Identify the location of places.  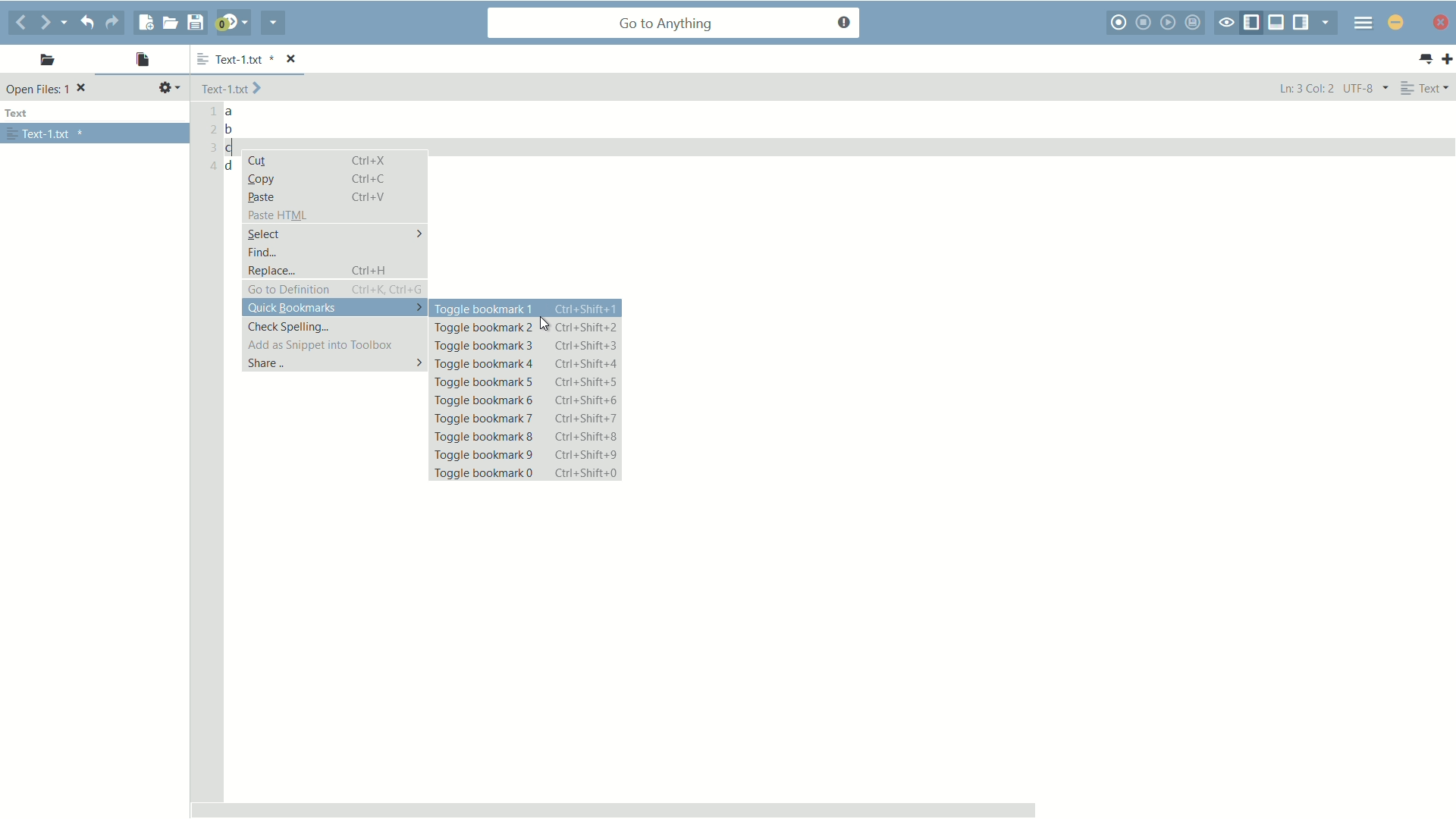
(43, 62).